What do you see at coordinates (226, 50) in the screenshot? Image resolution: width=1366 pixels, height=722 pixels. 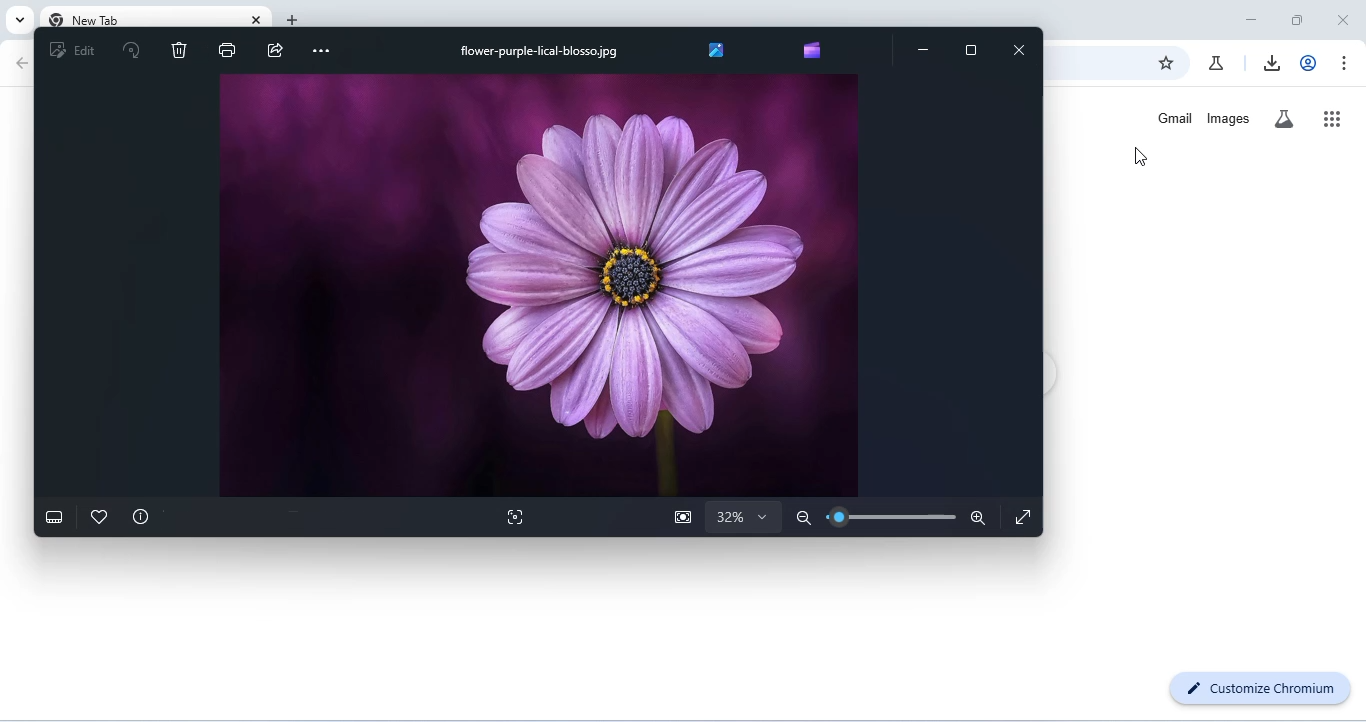 I see `print` at bounding box center [226, 50].